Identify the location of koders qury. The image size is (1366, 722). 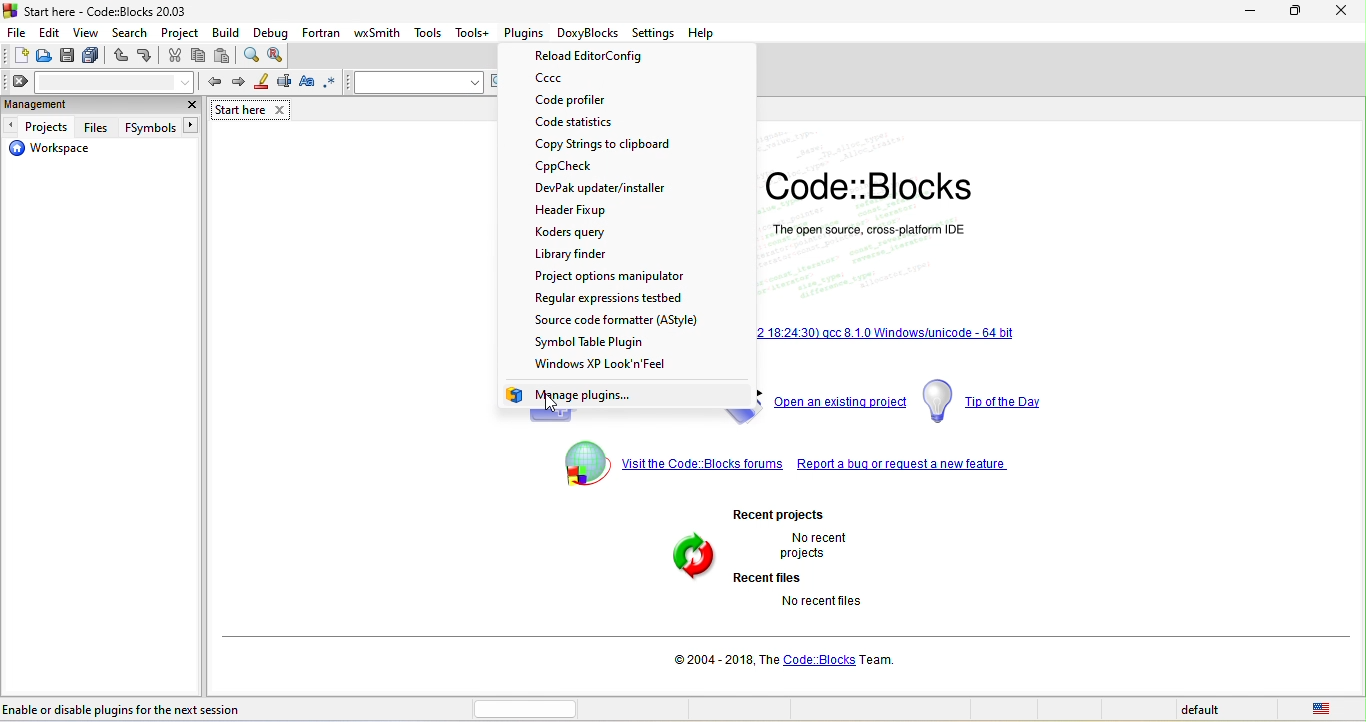
(596, 232).